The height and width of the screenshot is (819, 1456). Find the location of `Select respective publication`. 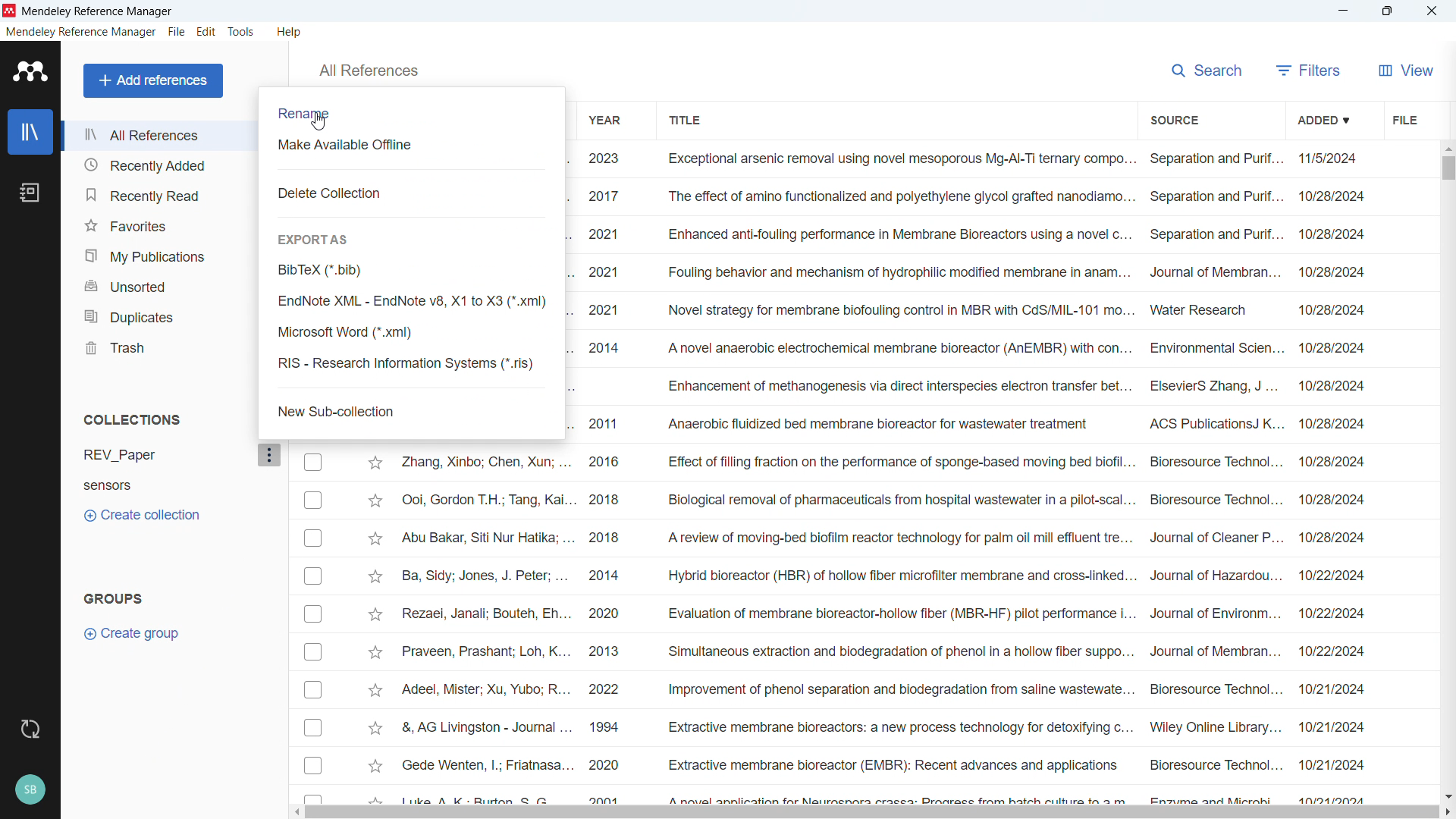

Select respective publication is located at coordinates (312, 576).